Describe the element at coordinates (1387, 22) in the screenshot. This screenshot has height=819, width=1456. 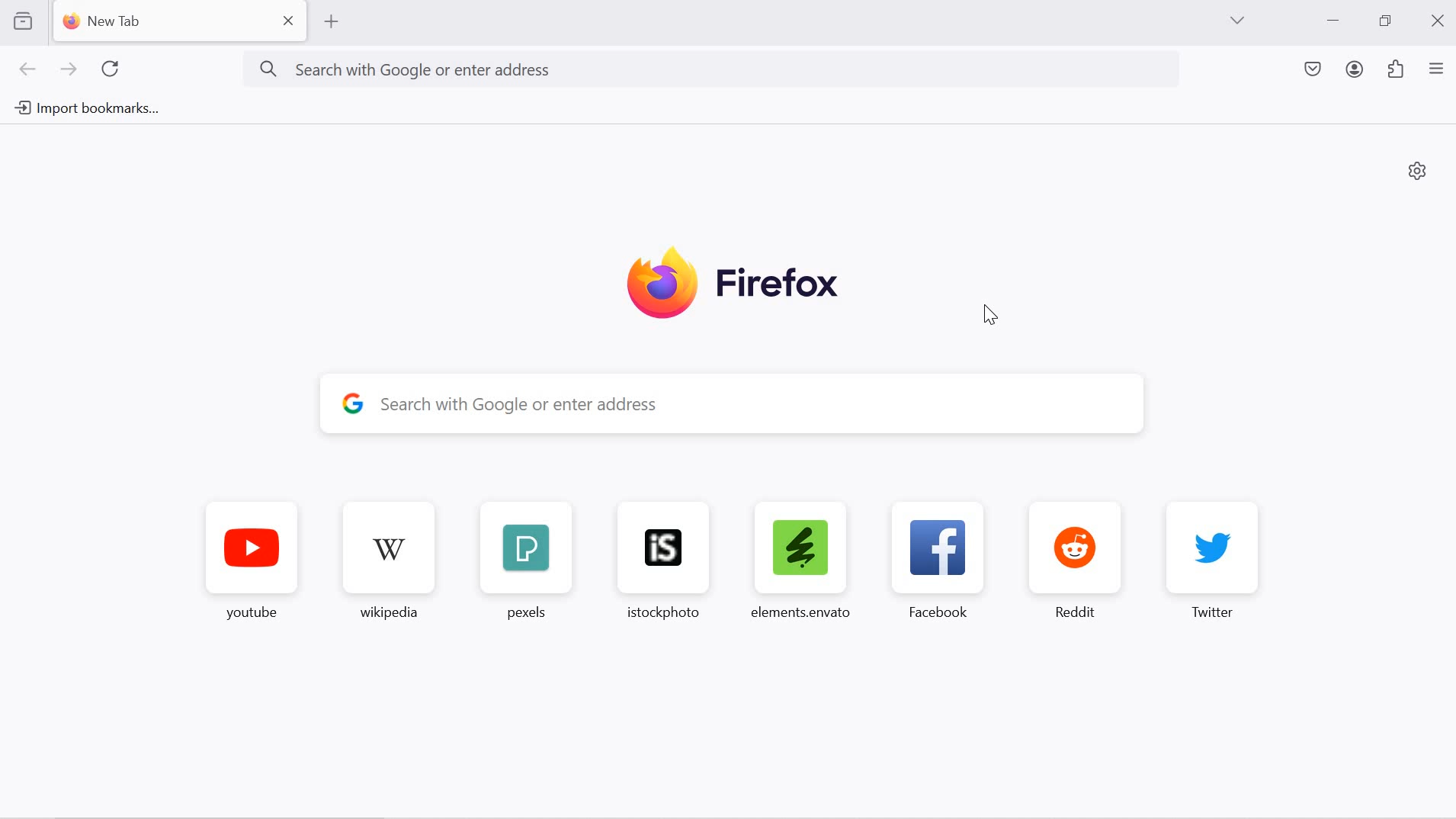
I see `restore down` at that location.